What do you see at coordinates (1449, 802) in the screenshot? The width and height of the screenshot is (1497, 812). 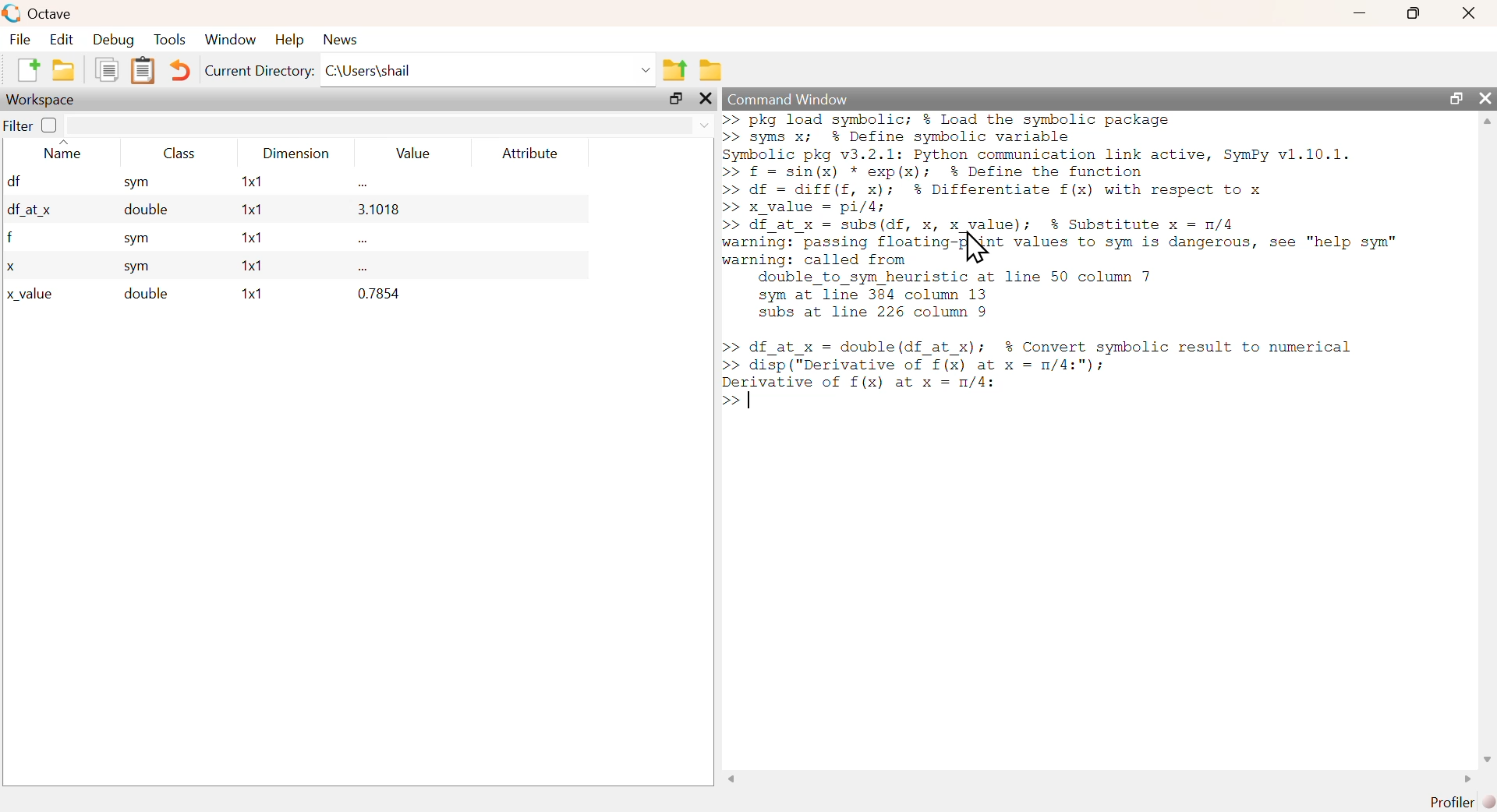 I see `Profiler` at bounding box center [1449, 802].